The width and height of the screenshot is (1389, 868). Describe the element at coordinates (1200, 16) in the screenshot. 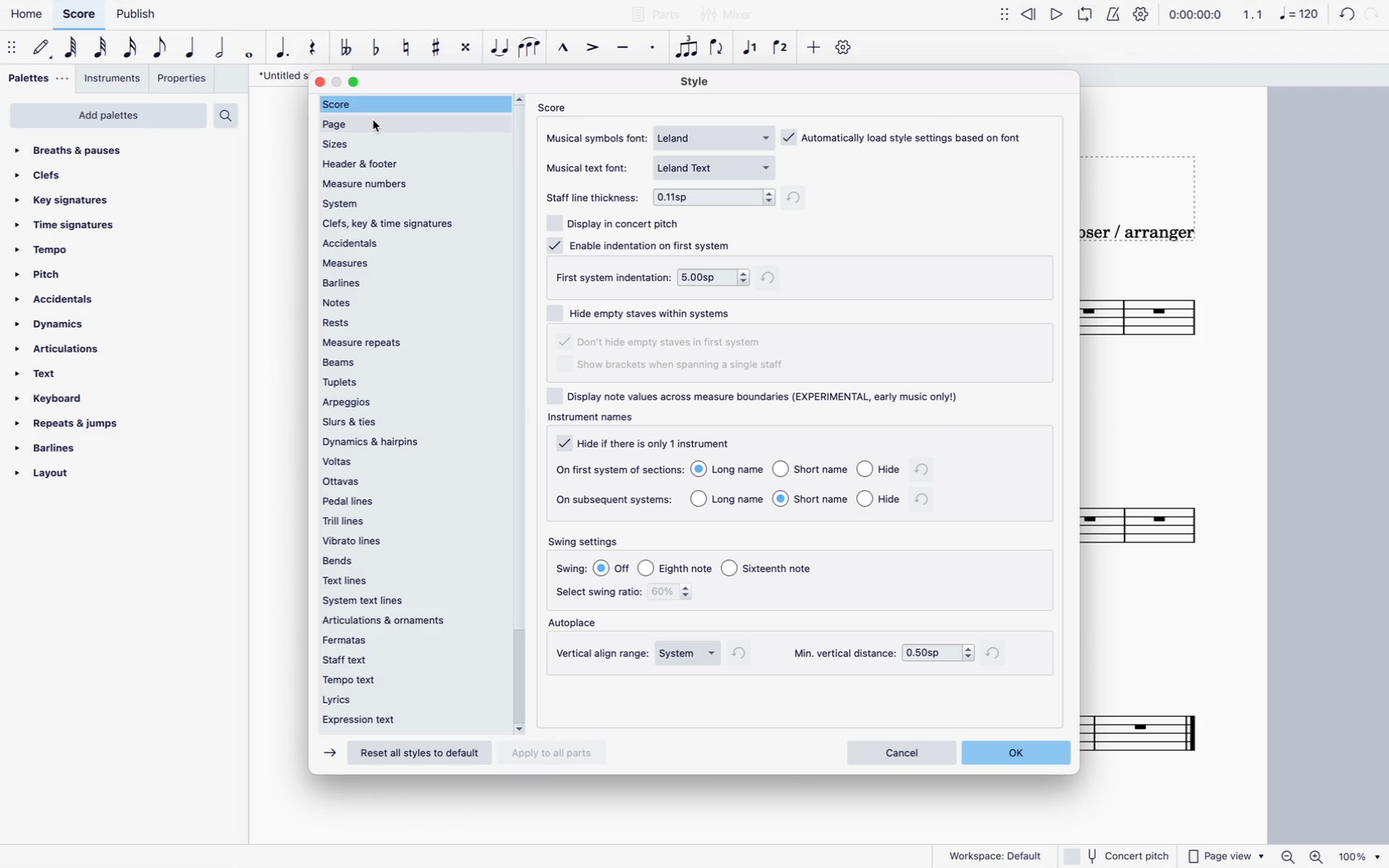

I see `timeframe` at that location.